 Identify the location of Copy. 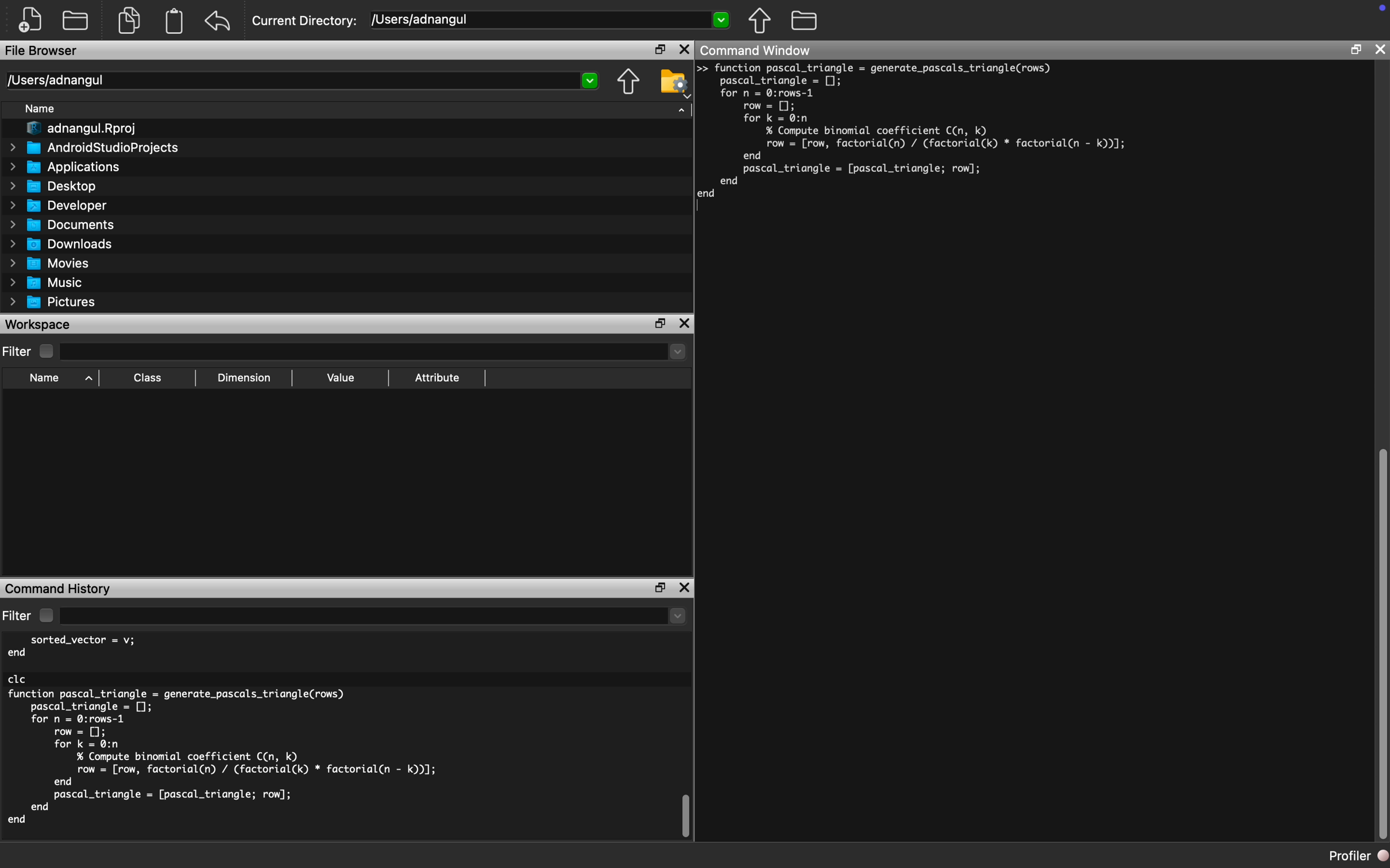
(129, 19).